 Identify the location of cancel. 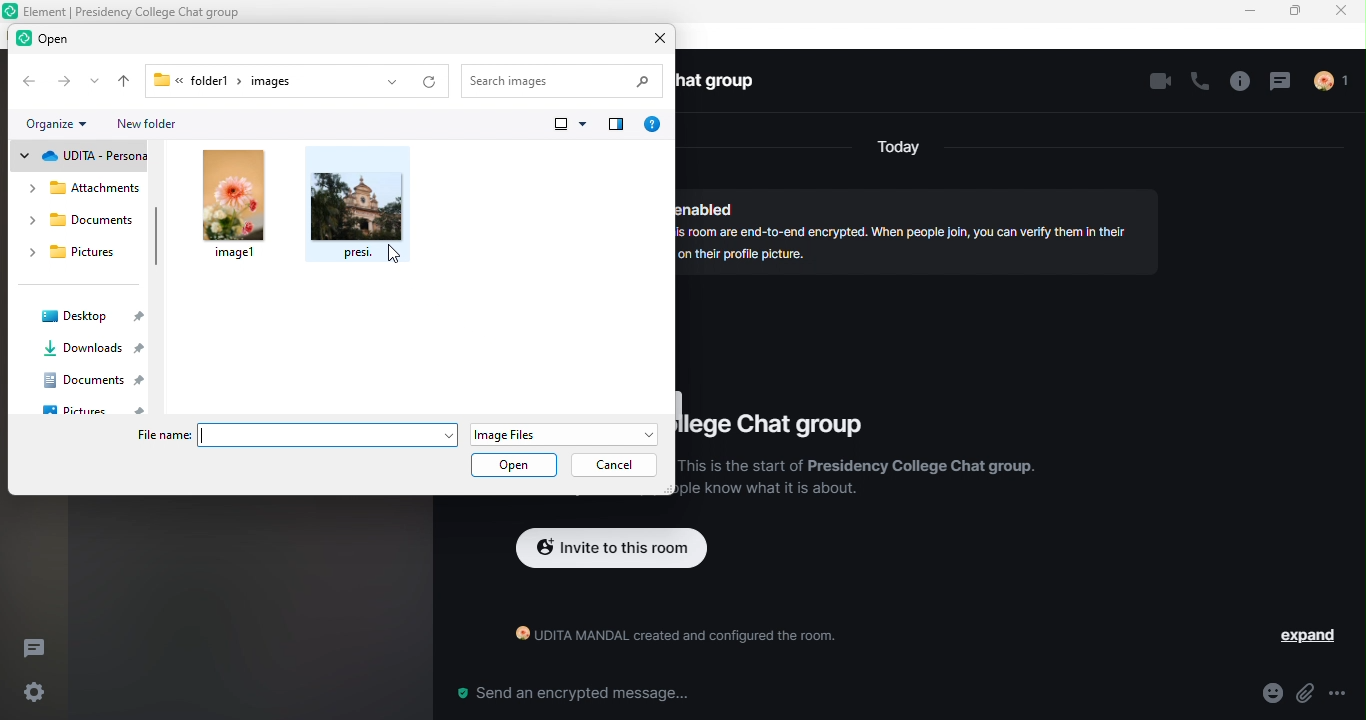
(617, 465).